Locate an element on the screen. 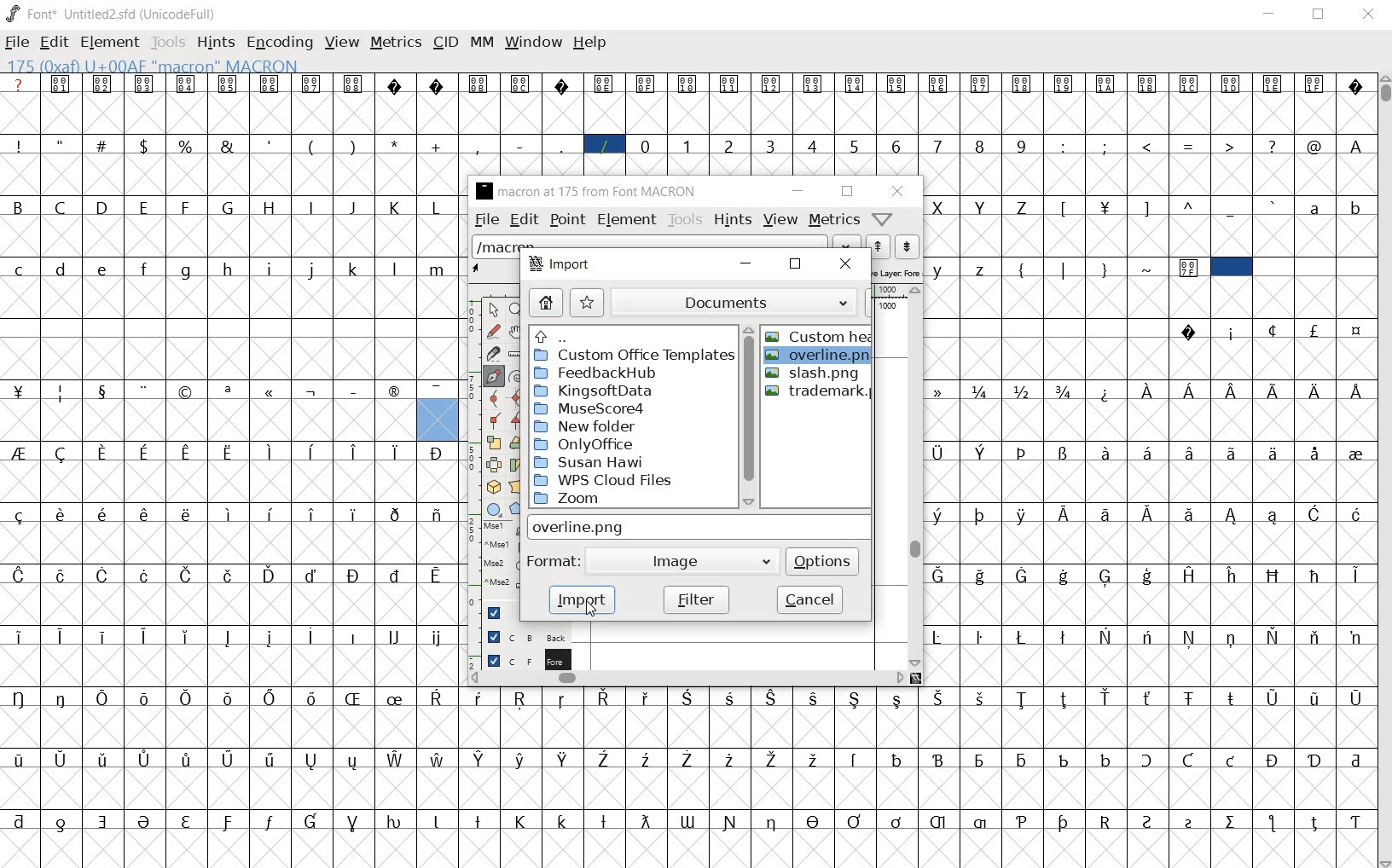  Symbol is located at coordinates (271, 452).